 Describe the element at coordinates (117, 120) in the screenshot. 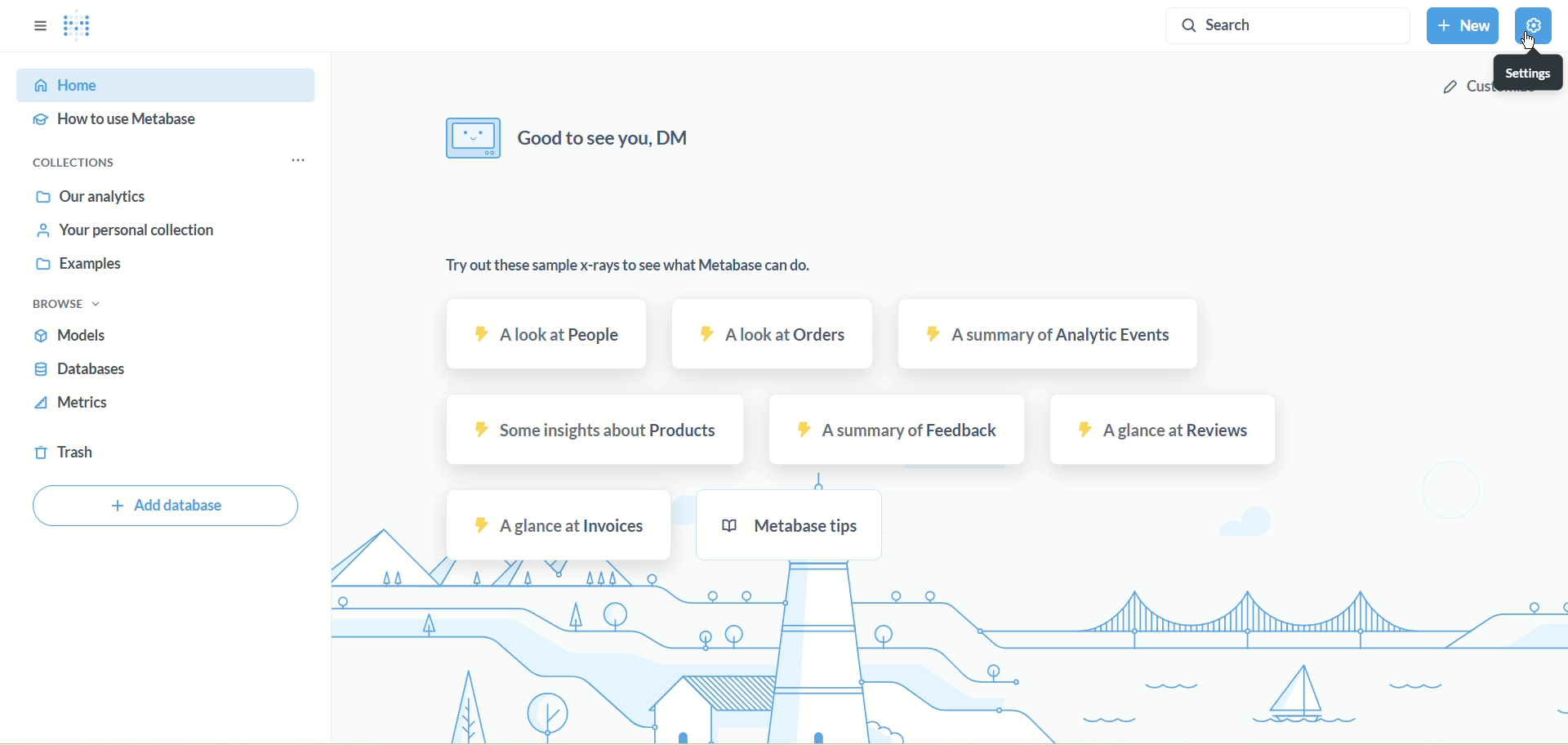

I see `how to use metabase` at that location.